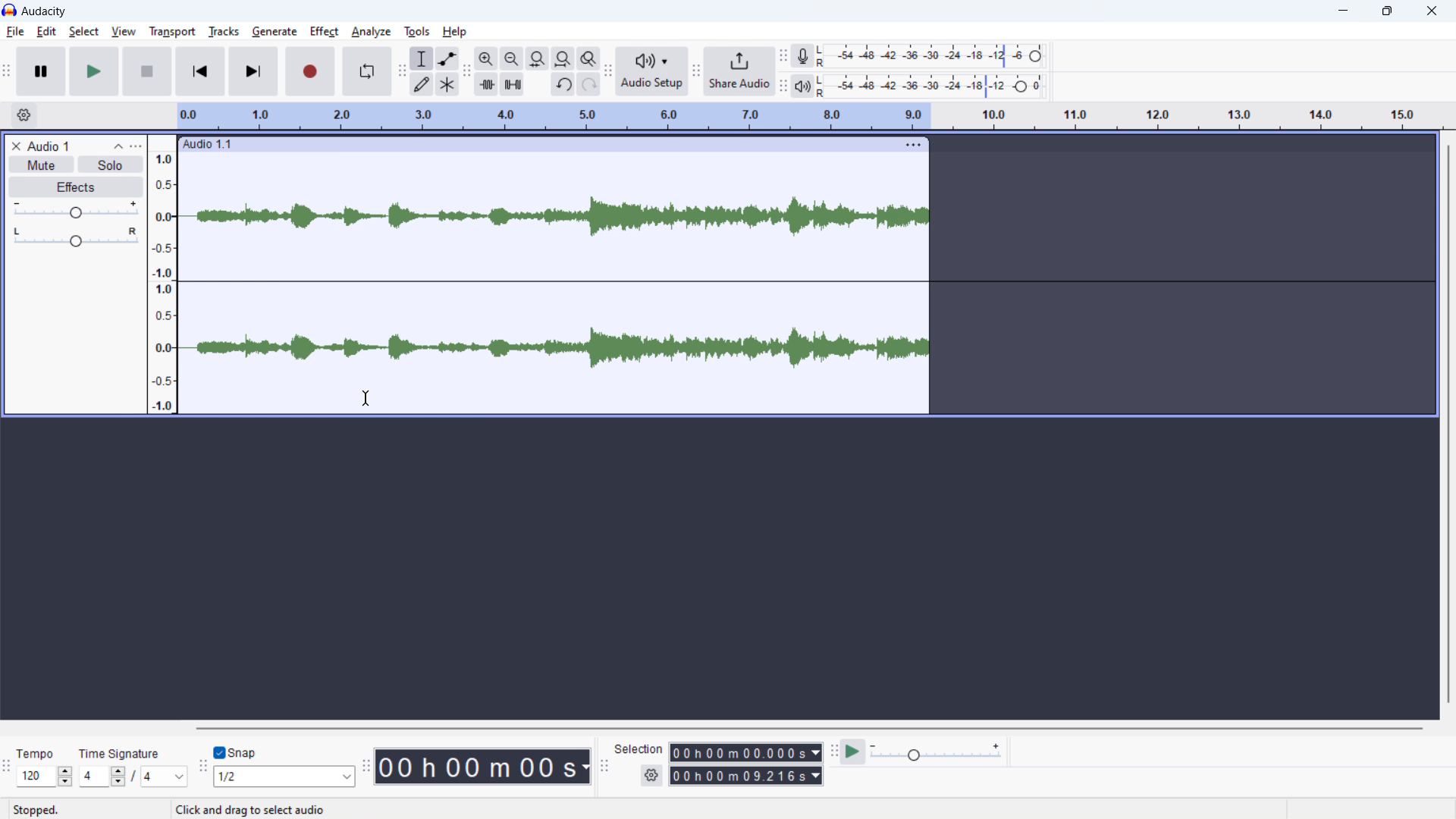 The width and height of the screenshot is (1456, 819). Describe the element at coordinates (604, 767) in the screenshot. I see `selection toolbar` at that location.